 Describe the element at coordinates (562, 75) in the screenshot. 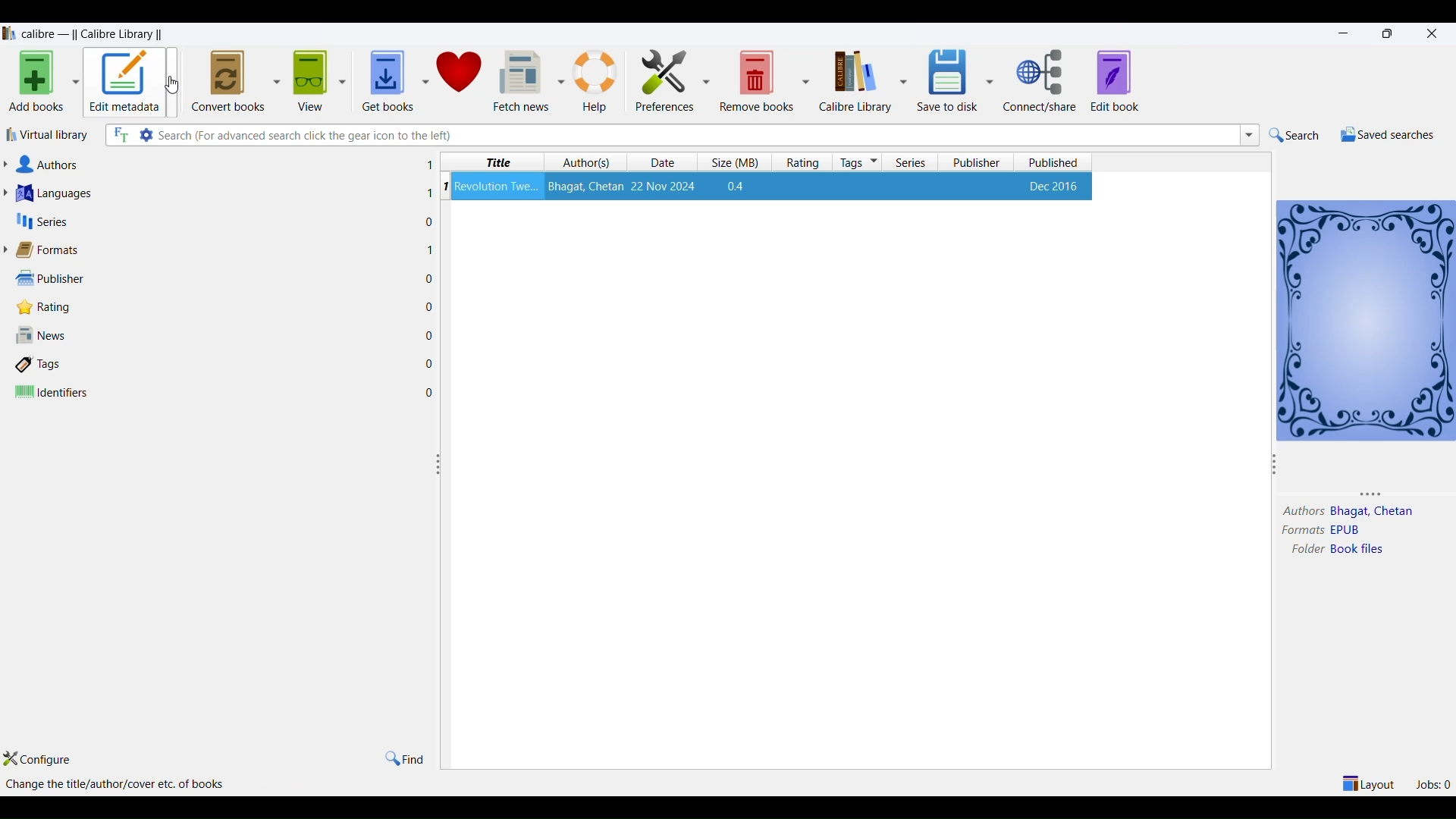

I see `fetch news options dropdown button` at that location.